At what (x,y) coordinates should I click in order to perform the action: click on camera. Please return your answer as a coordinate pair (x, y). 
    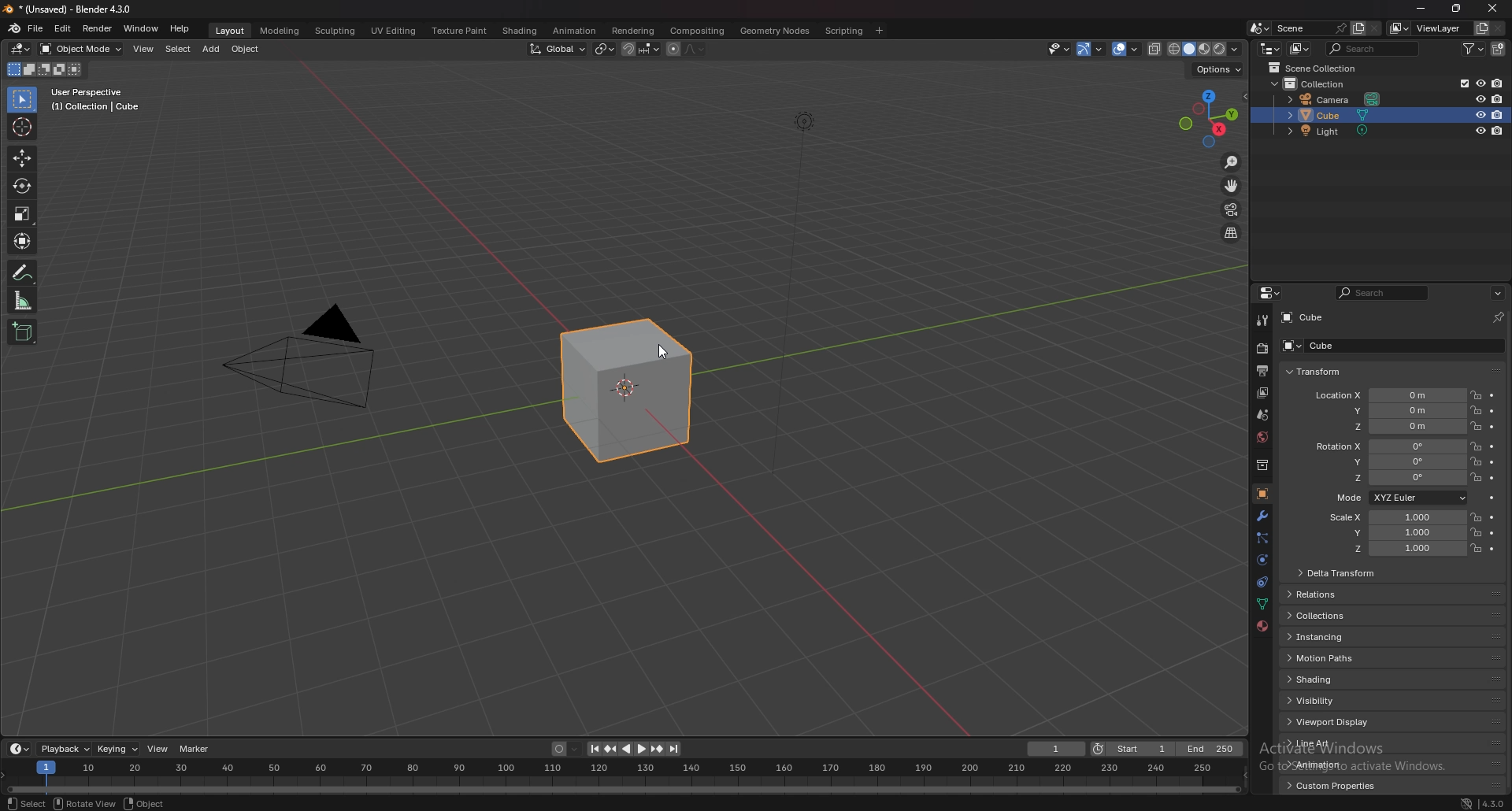
    Looking at the image, I should click on (1338, 98).